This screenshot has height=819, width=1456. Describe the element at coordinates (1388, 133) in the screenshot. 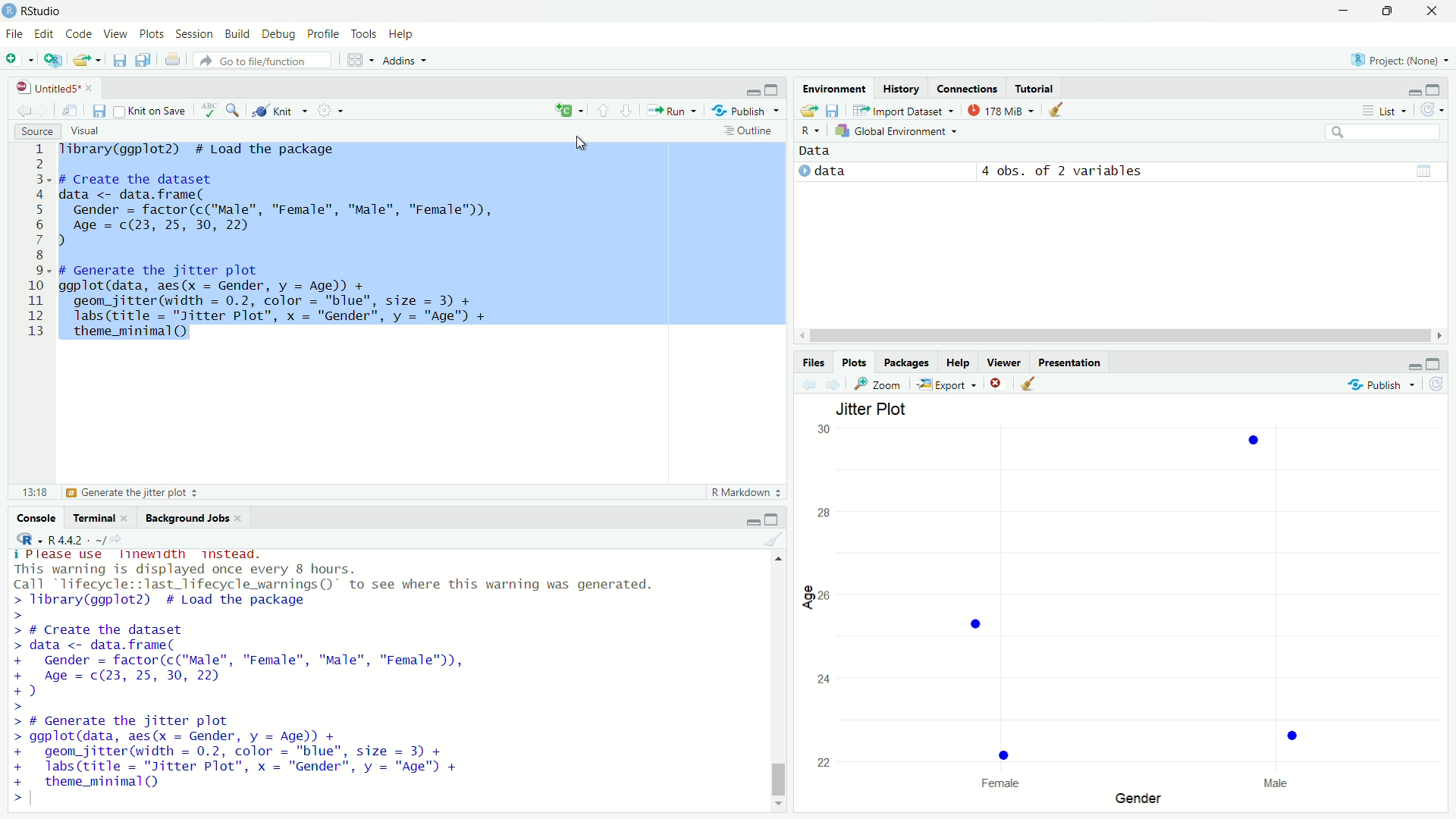

I see `search field` at that location.